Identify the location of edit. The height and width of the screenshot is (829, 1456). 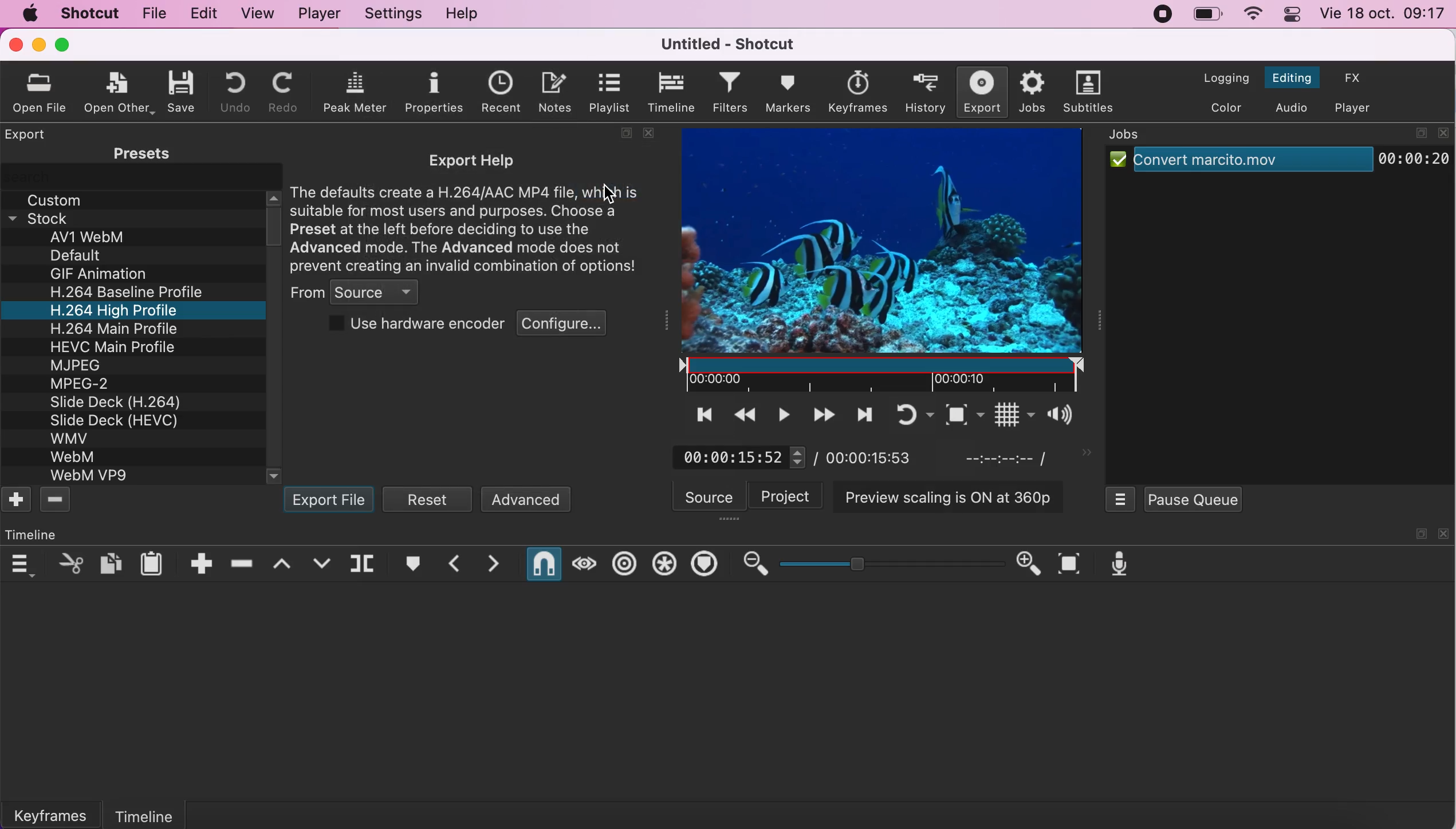
(201, 12).